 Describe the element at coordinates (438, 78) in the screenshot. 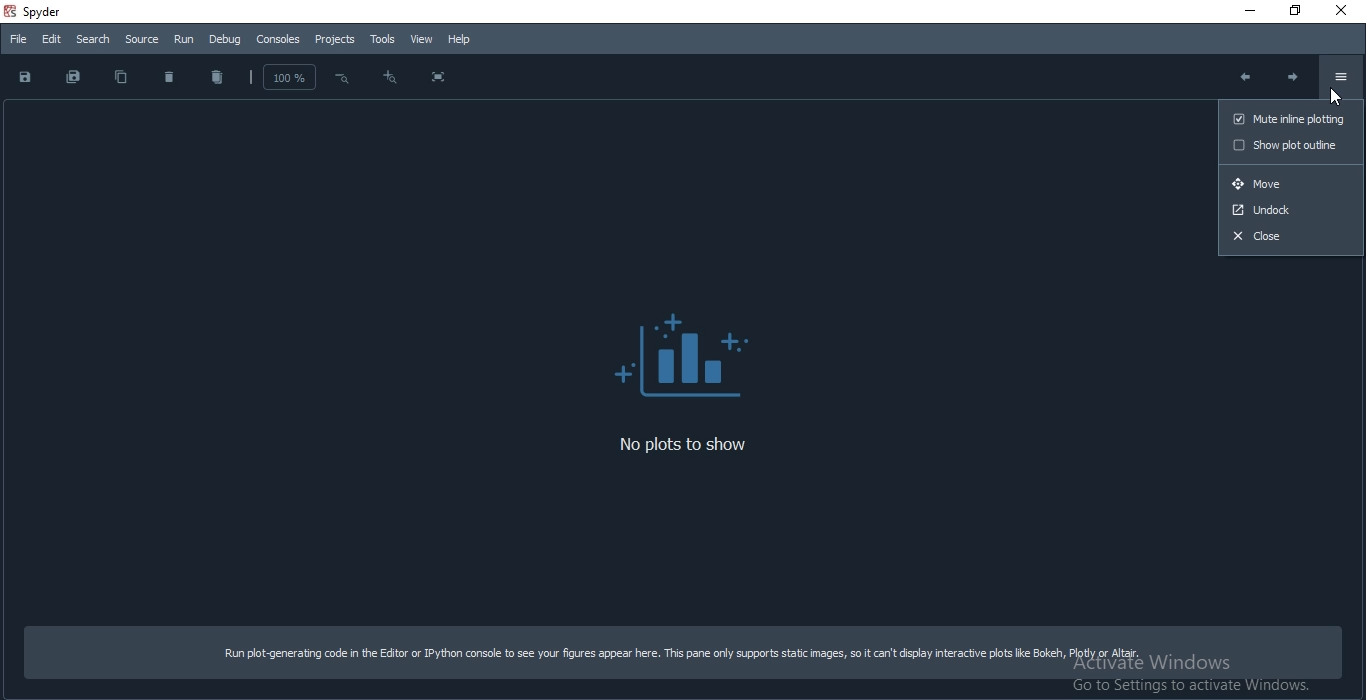

I see `Fit to screen` at that location.